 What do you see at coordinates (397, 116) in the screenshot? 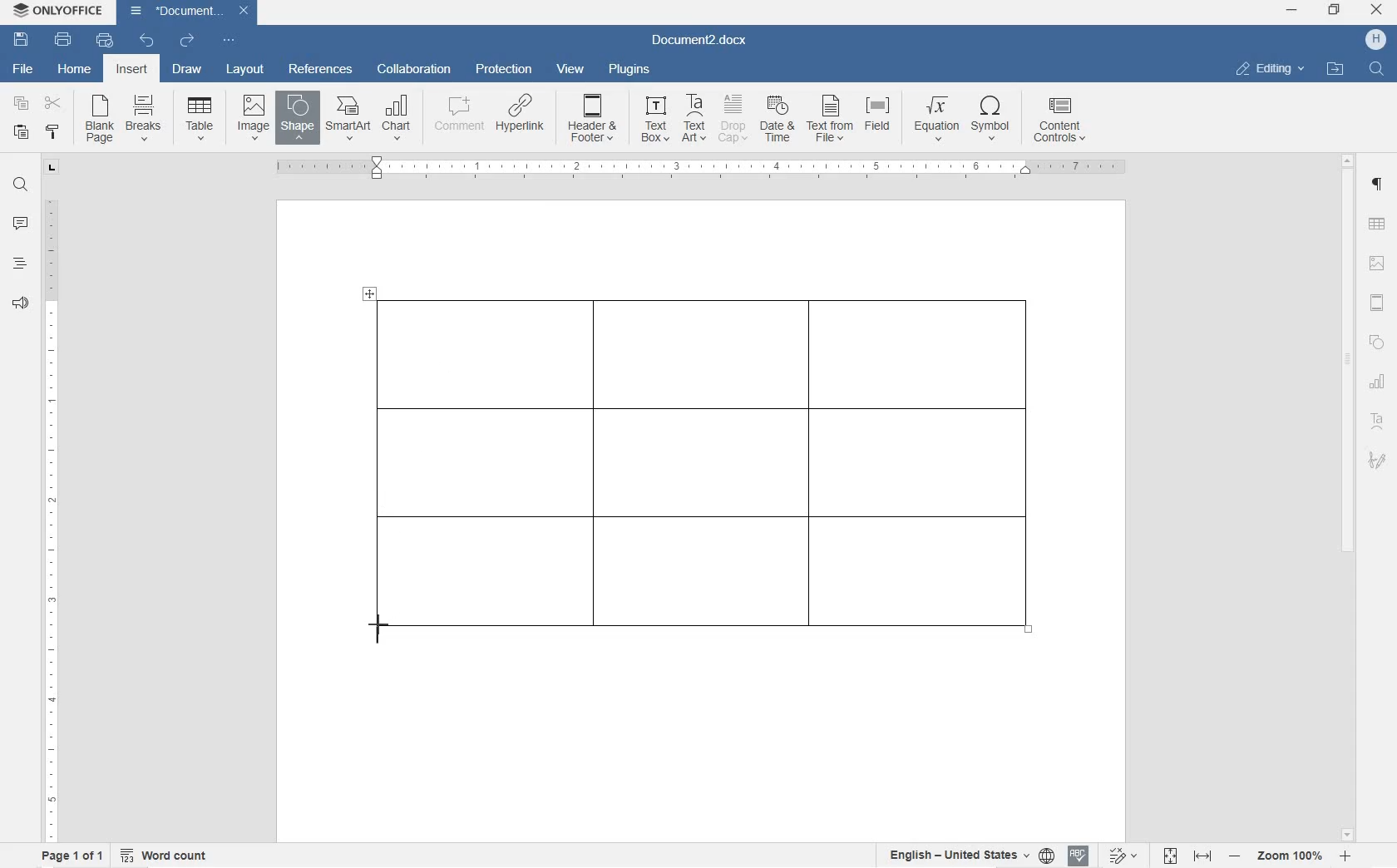
I see `CHART` at bounding box center [397, 116].